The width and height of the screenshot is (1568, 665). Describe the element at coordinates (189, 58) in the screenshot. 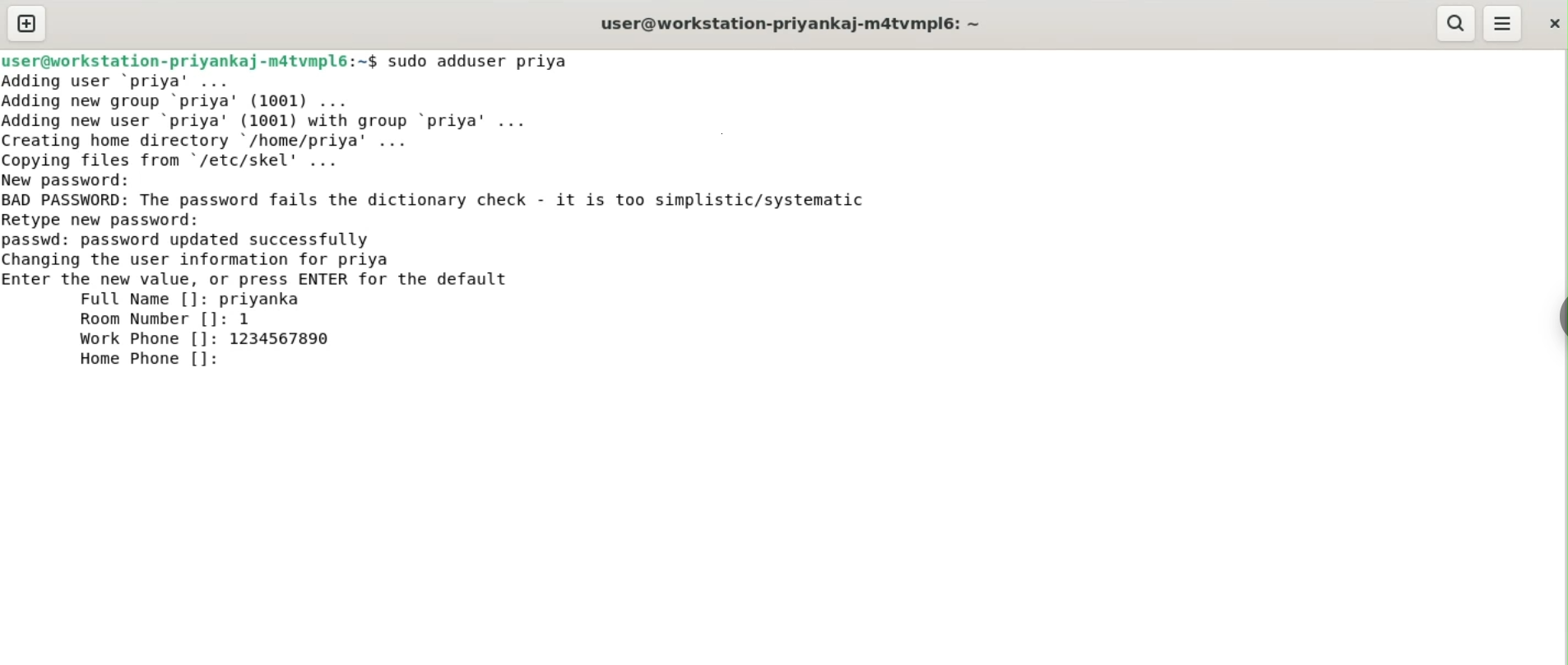

I see `user@workstation-priyankaj-m4tvmpl6:~$` at that location.